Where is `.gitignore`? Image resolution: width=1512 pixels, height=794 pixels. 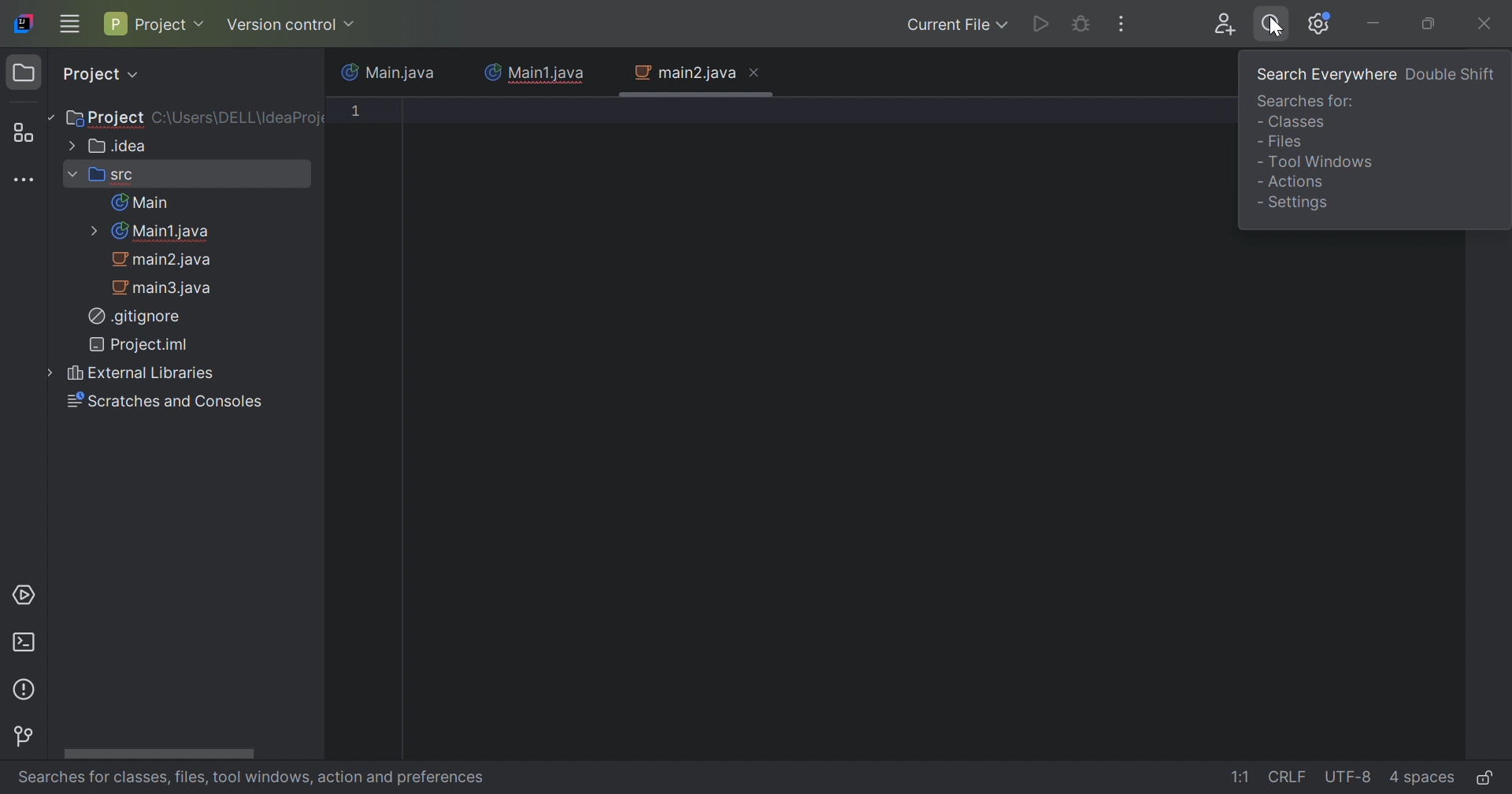 .gitignore is located at coordinates (133, 315).